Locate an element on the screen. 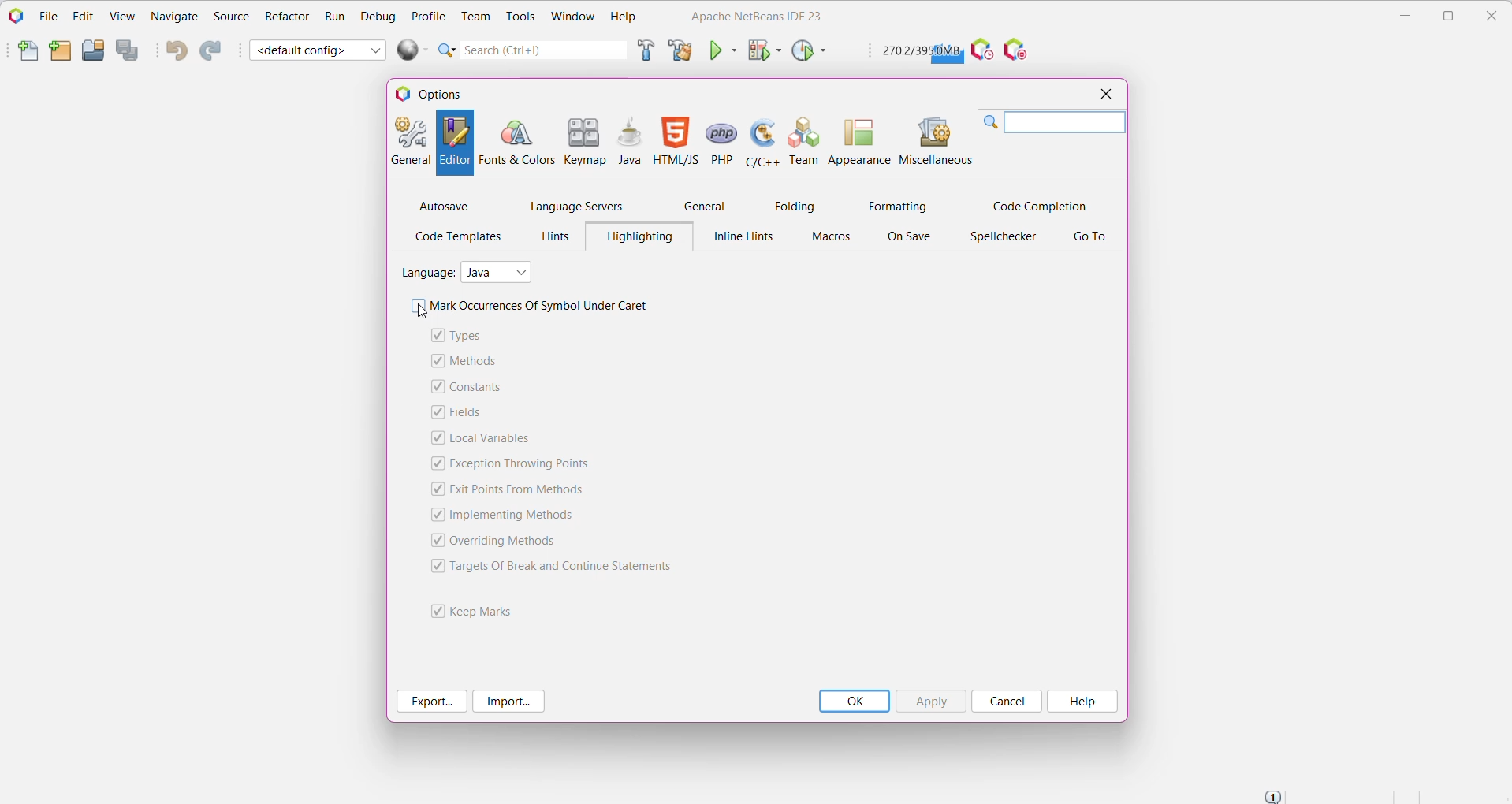 This screenshot has height=804, width=1512. Notifications is located at coordinates (1276, 795).